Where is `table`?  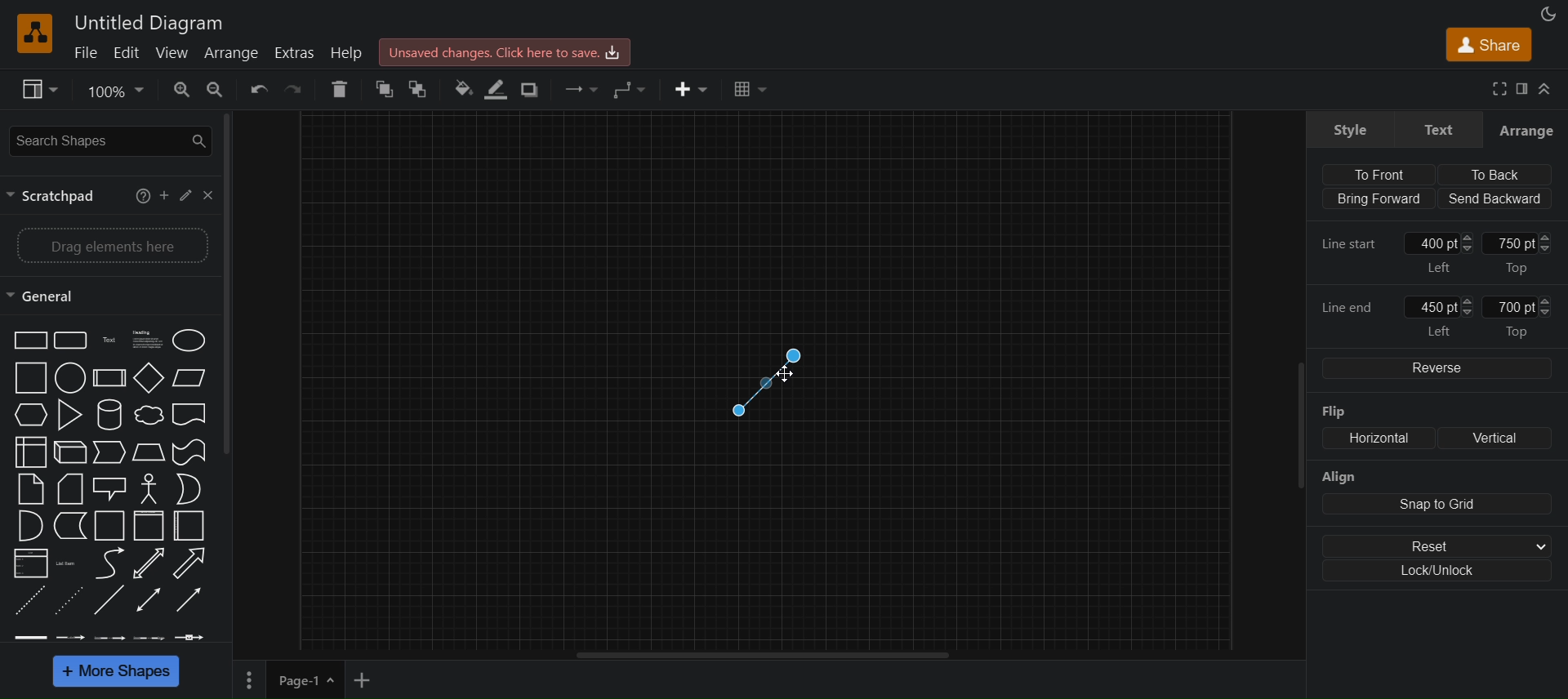
table is located at coordinates (755, 91).